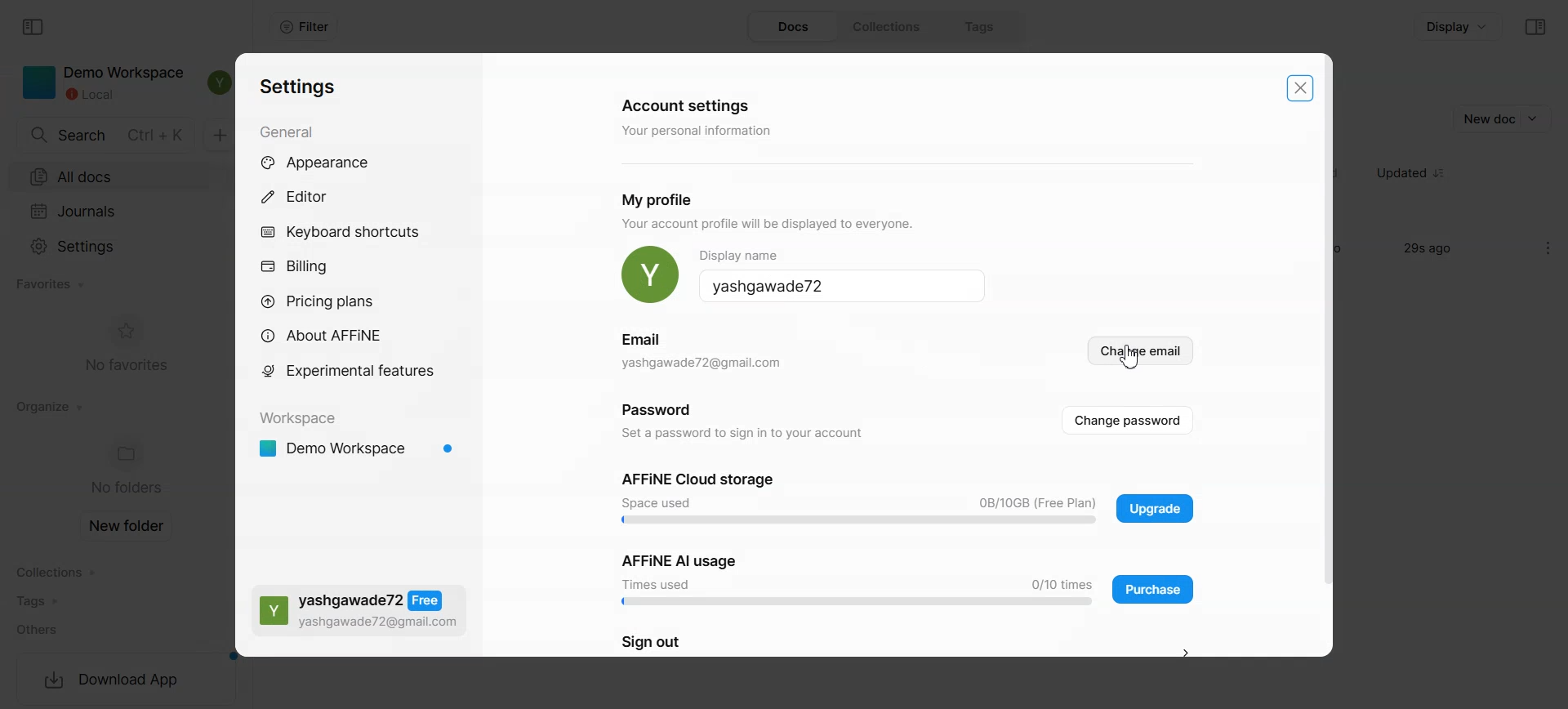 The height and width of the screenshot is (709, 1568). I want to click on account settings, so click(684, 108).